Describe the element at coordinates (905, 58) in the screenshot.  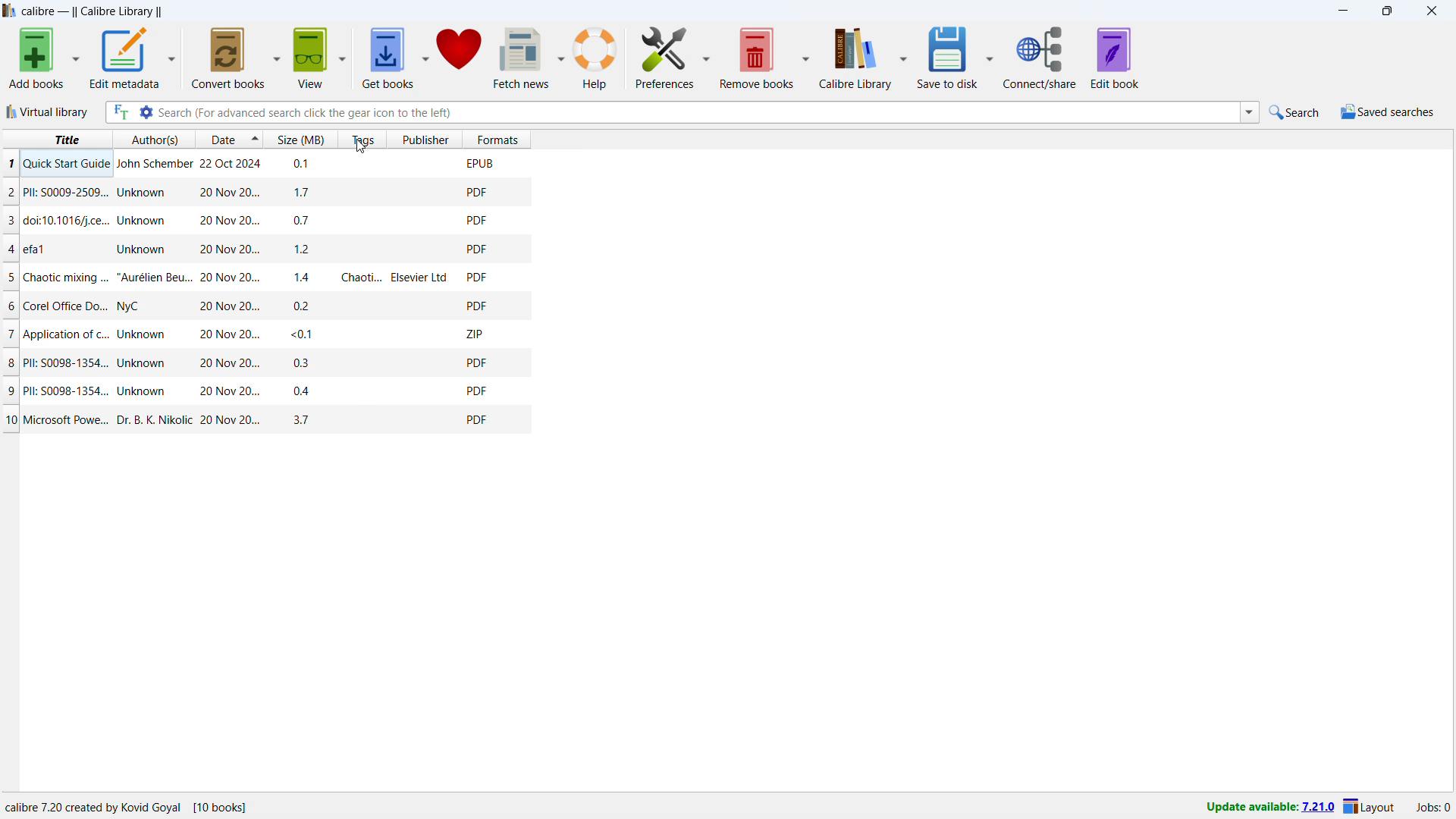
I see `calibre library options` at that location.